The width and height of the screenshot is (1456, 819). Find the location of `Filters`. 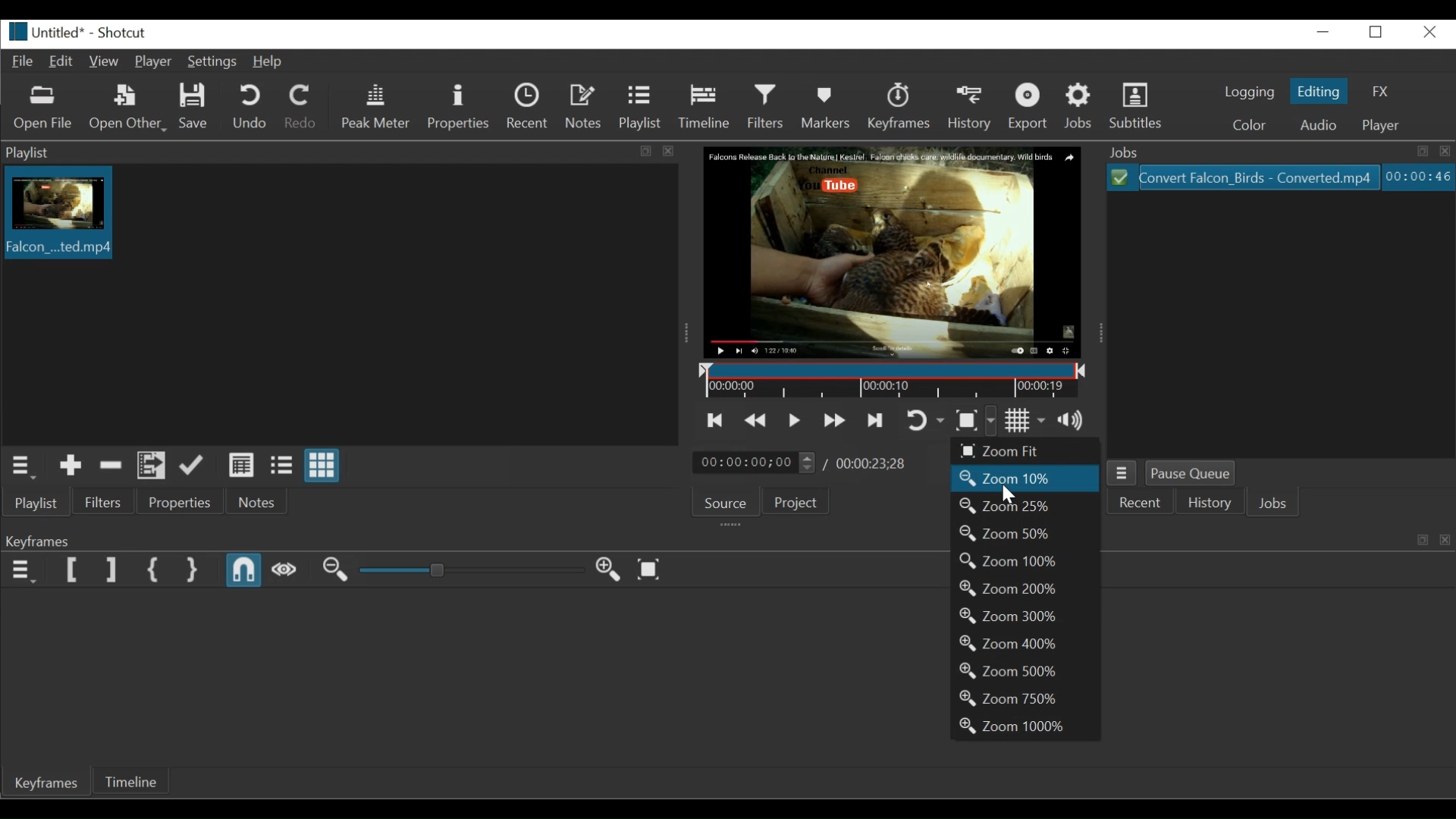

Filters is located at coordinates (768, 106).